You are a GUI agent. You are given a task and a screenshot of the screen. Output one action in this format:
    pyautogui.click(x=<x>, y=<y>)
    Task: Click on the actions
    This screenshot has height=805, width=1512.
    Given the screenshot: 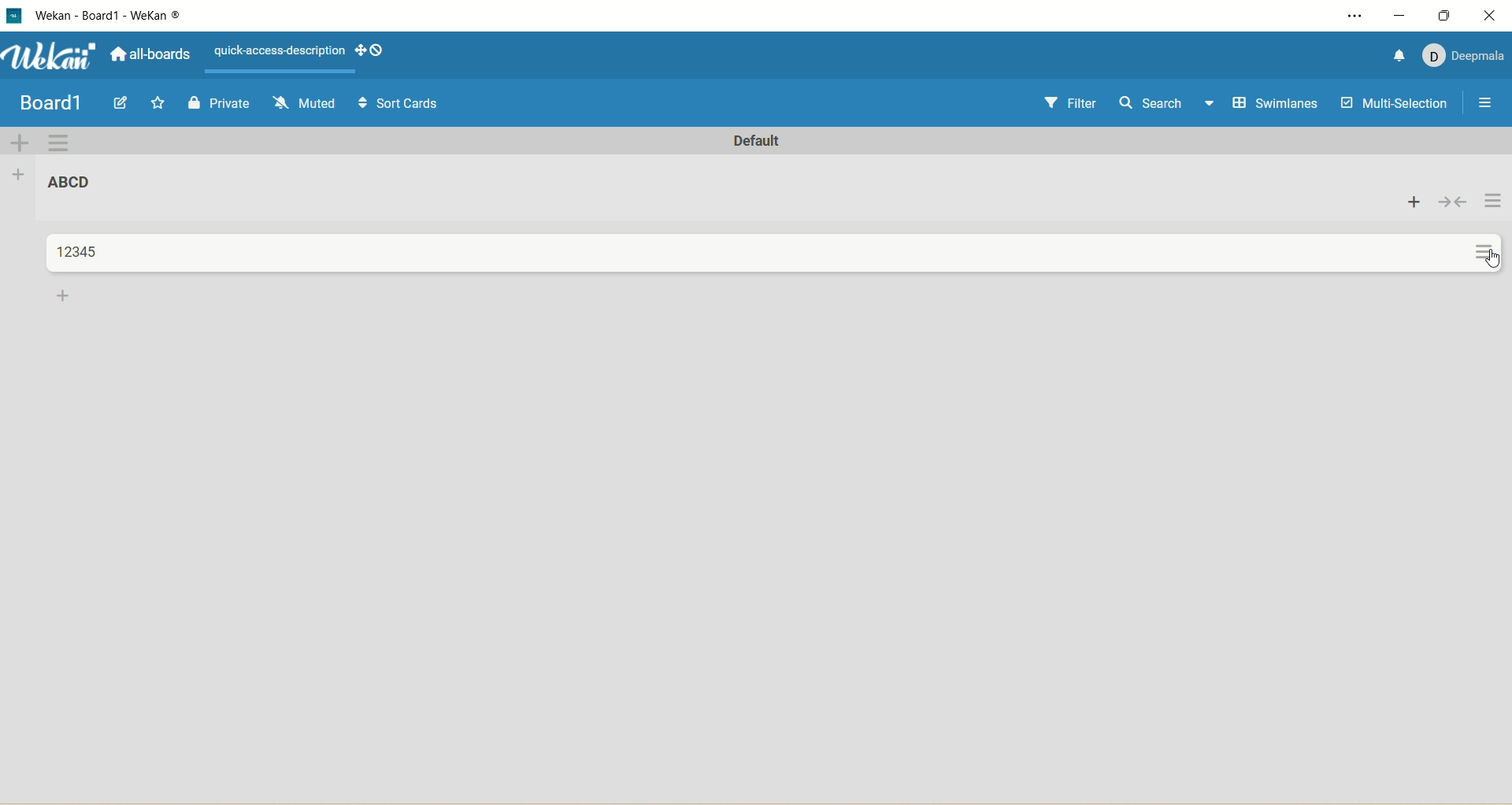 What is the action you would take?
    pyautogui.click(x=1490, y=228)
    